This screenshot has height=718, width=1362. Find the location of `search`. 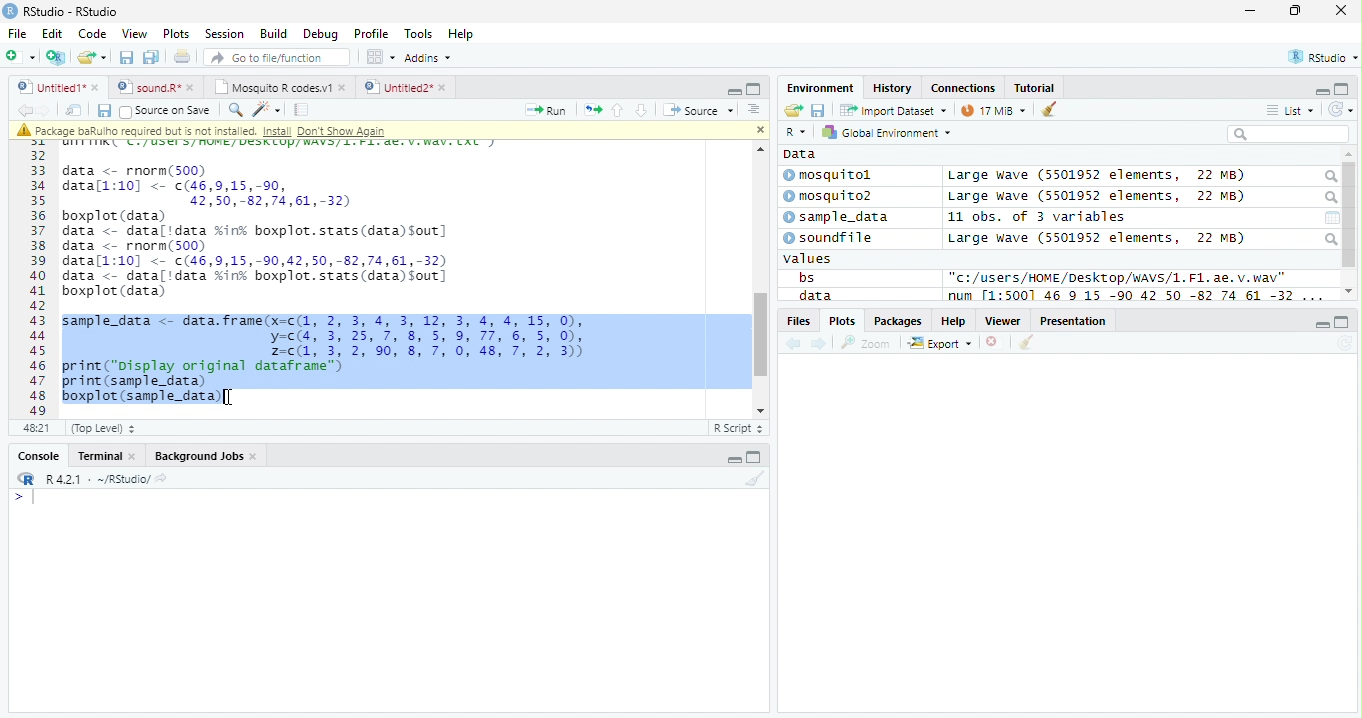

search is located at coordinates (1329, 198).